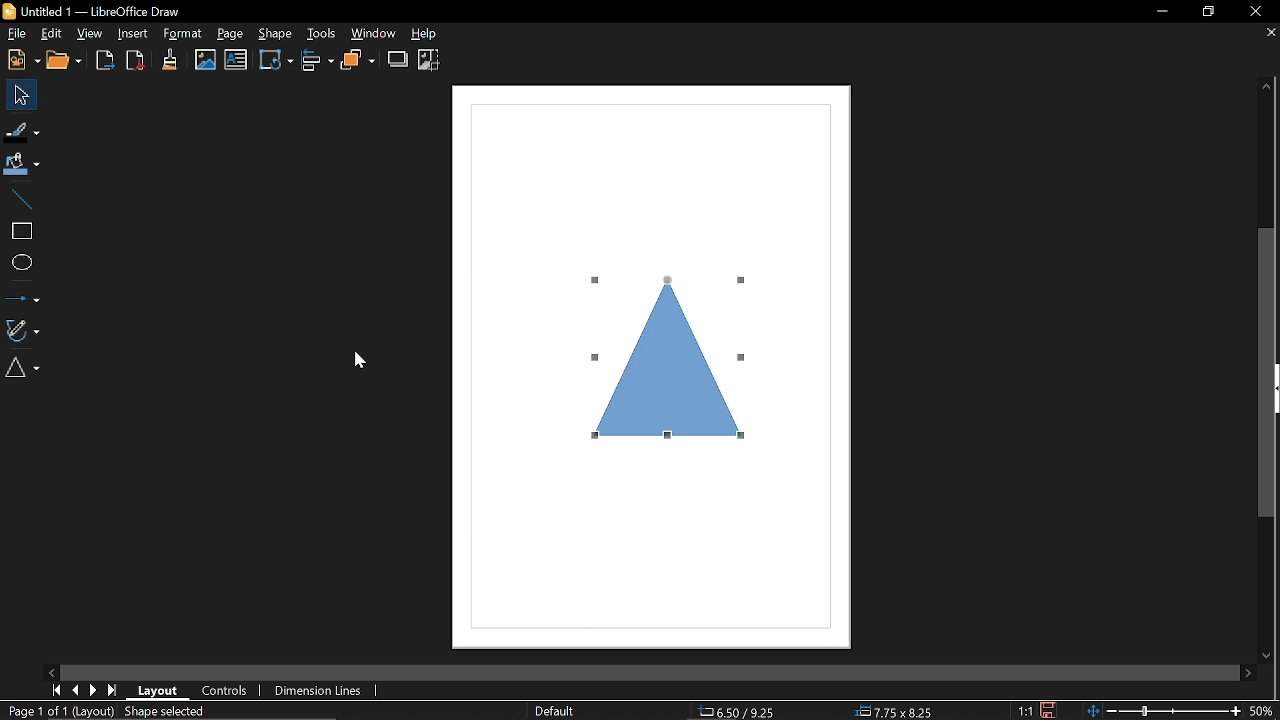 This screenshot has height=720, width=1280. Describe the element at coordinates (276, 59) in the screenshot. I see `Transformation` at that location.